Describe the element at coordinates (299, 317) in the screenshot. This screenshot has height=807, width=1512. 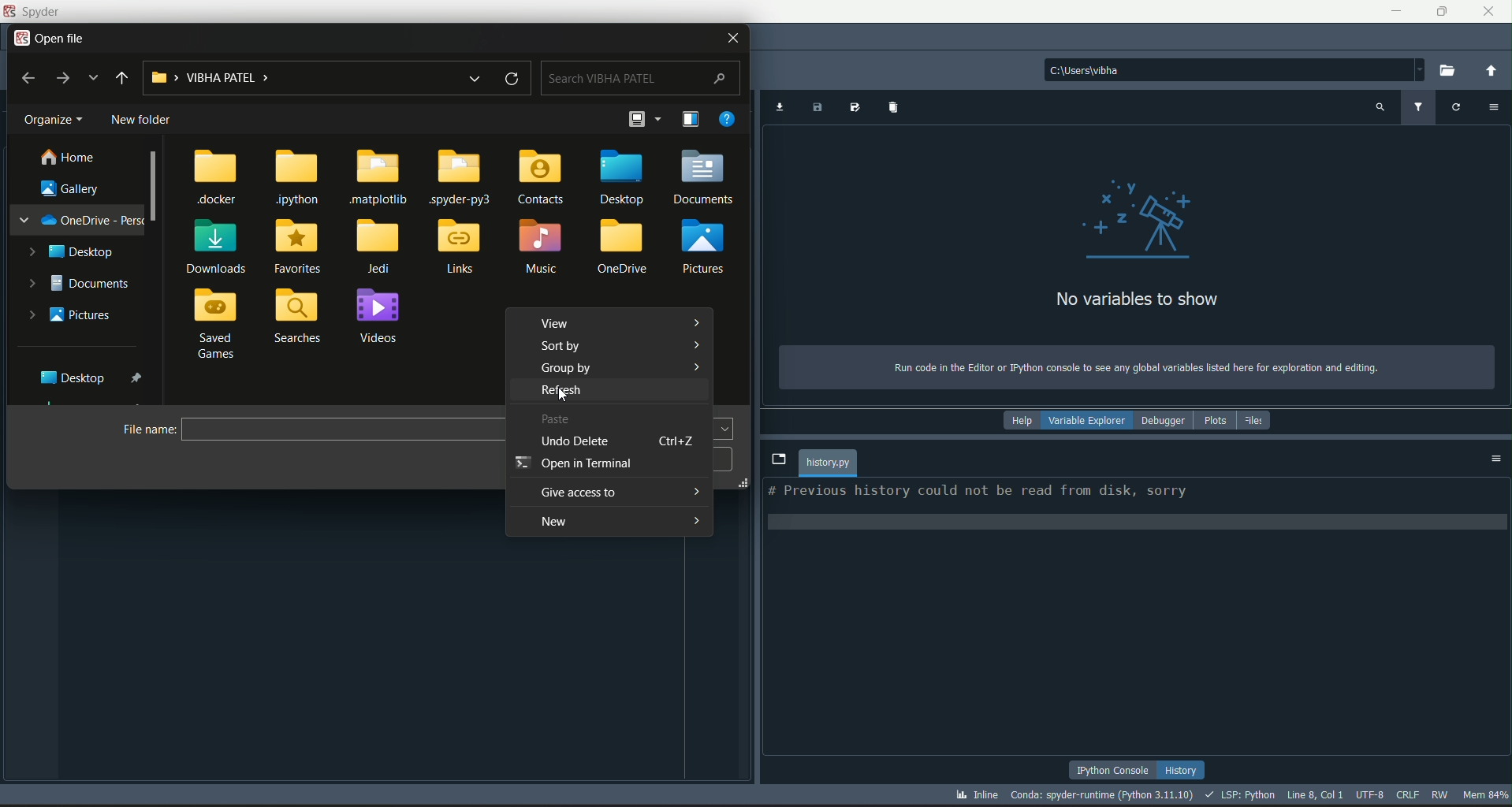
I see `searches` at that location.